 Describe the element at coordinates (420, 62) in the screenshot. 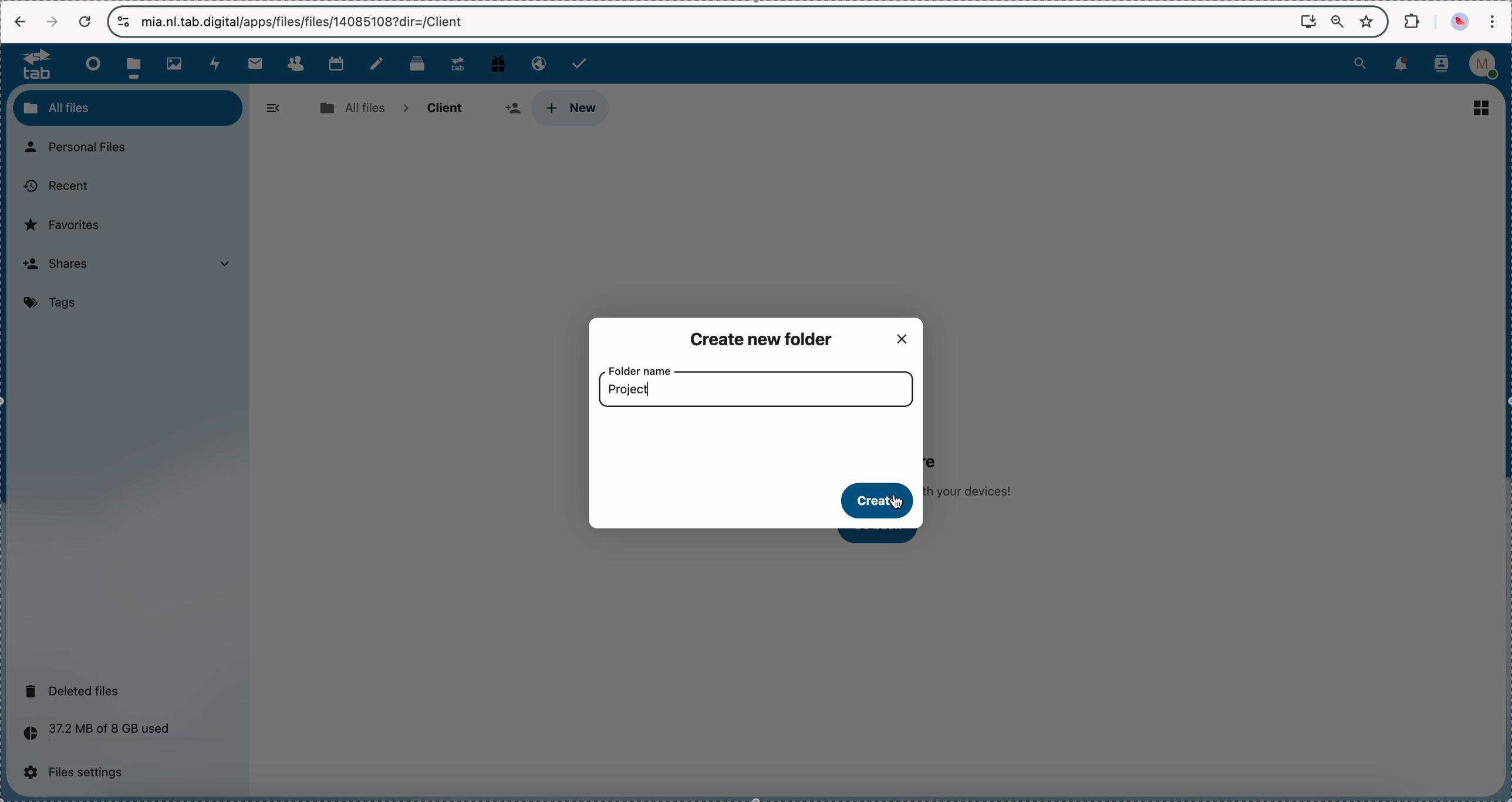

I see `deck` at that location.